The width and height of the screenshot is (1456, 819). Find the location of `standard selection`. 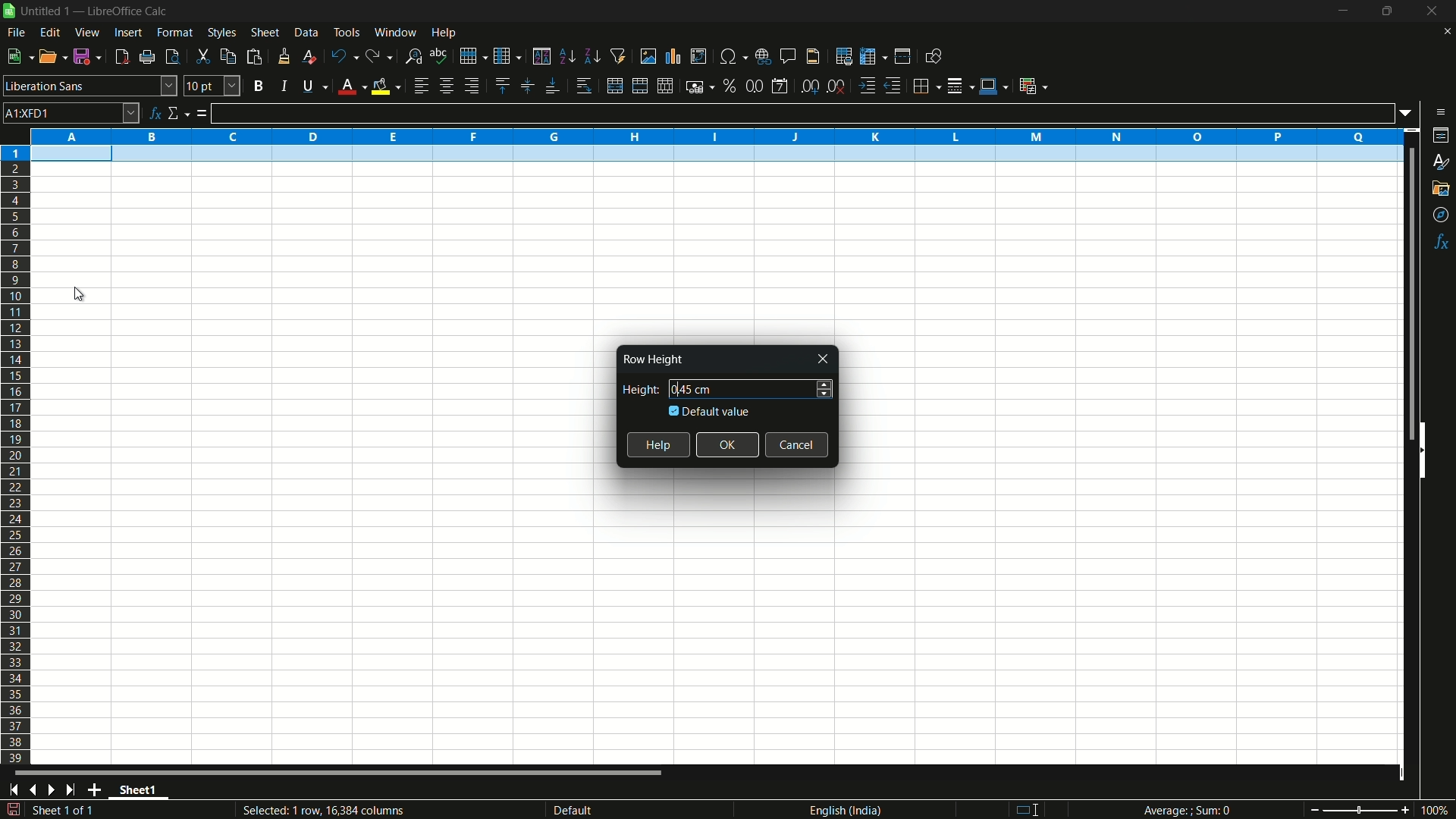

standard selection is located at coordinates (1033, 809).